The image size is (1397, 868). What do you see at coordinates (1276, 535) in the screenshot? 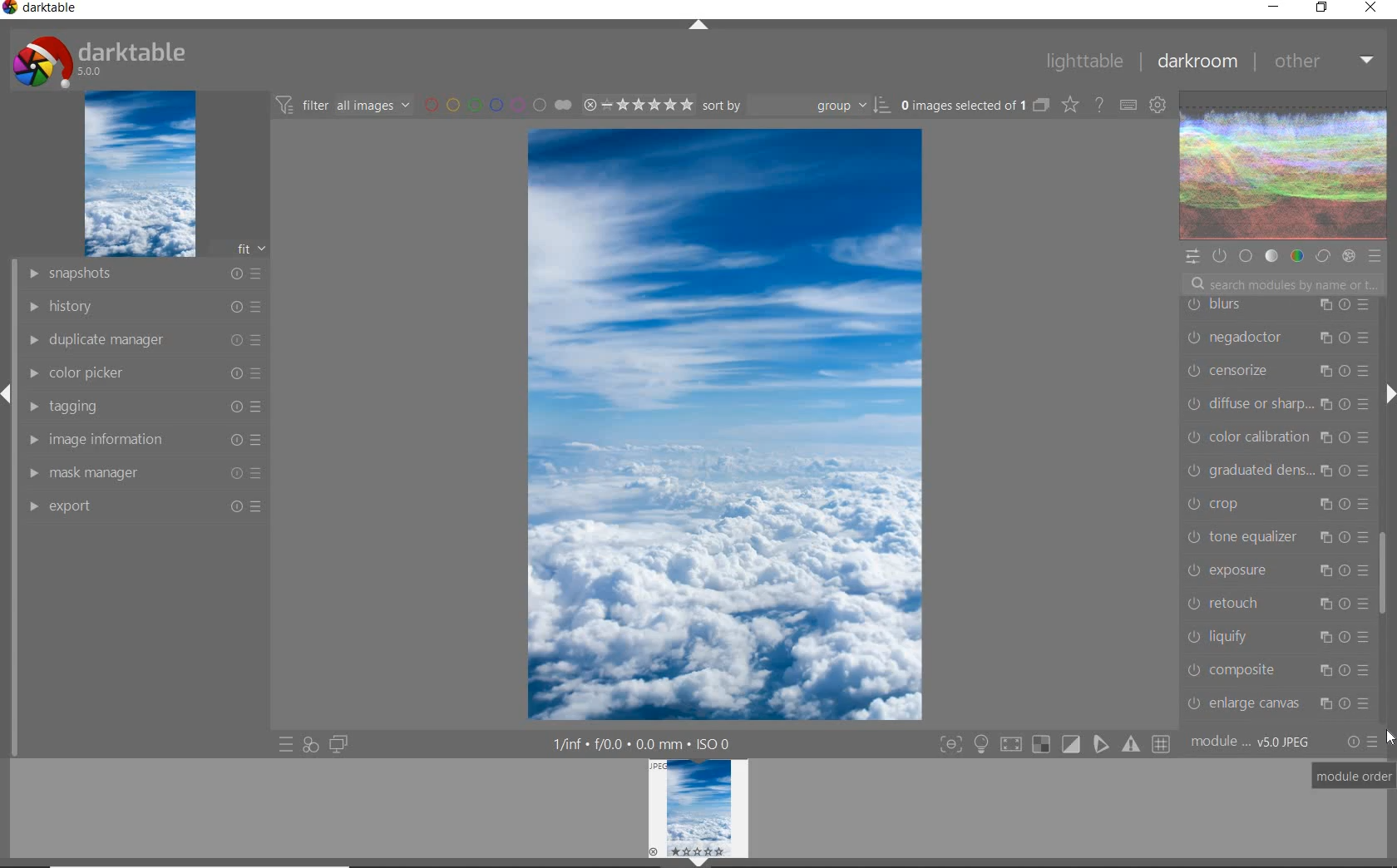
I see `tone equalizer` at bounding box center [1276, 535].